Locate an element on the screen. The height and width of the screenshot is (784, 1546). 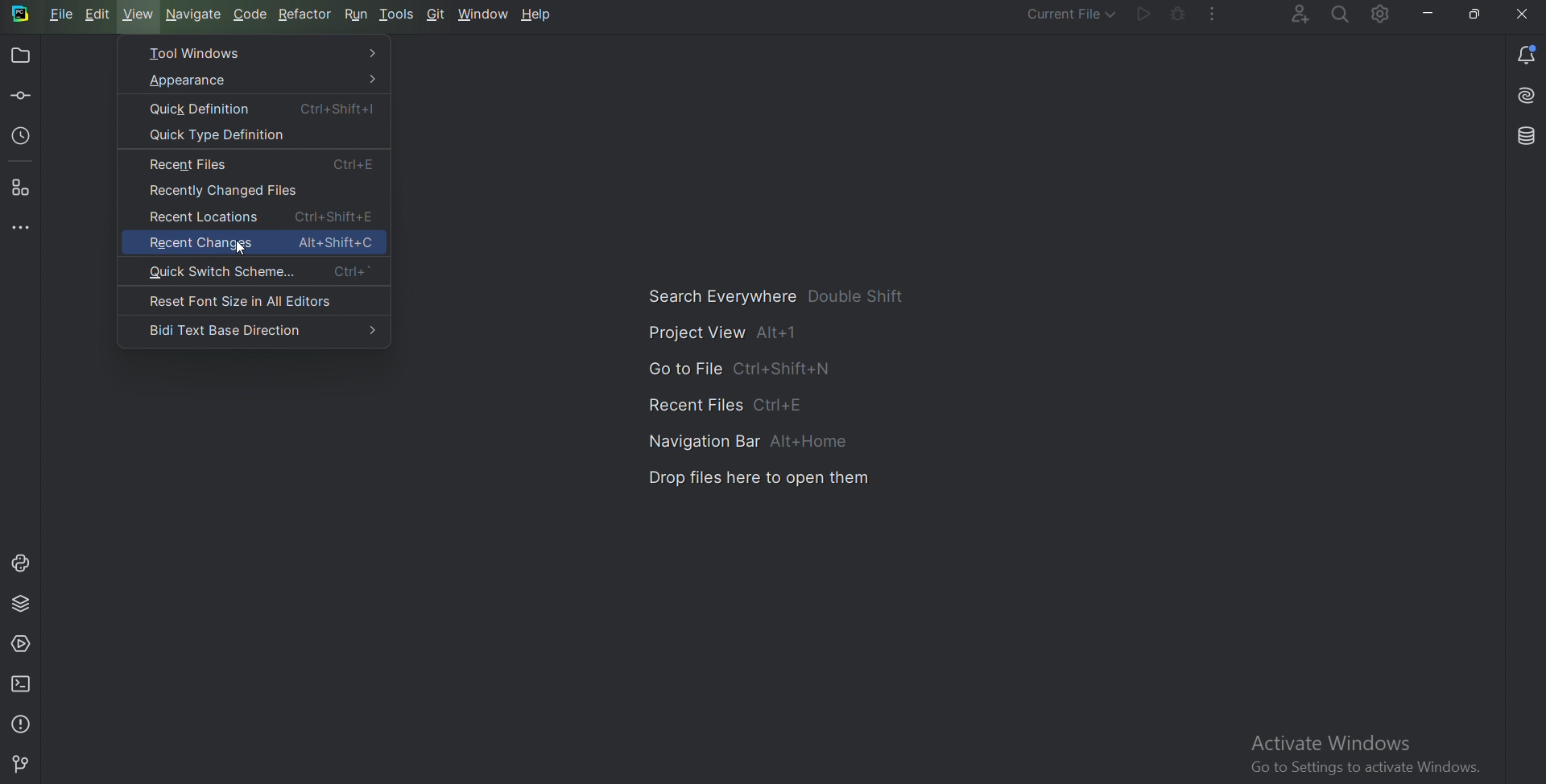
Tool windows is located at coordinates (254, 52).